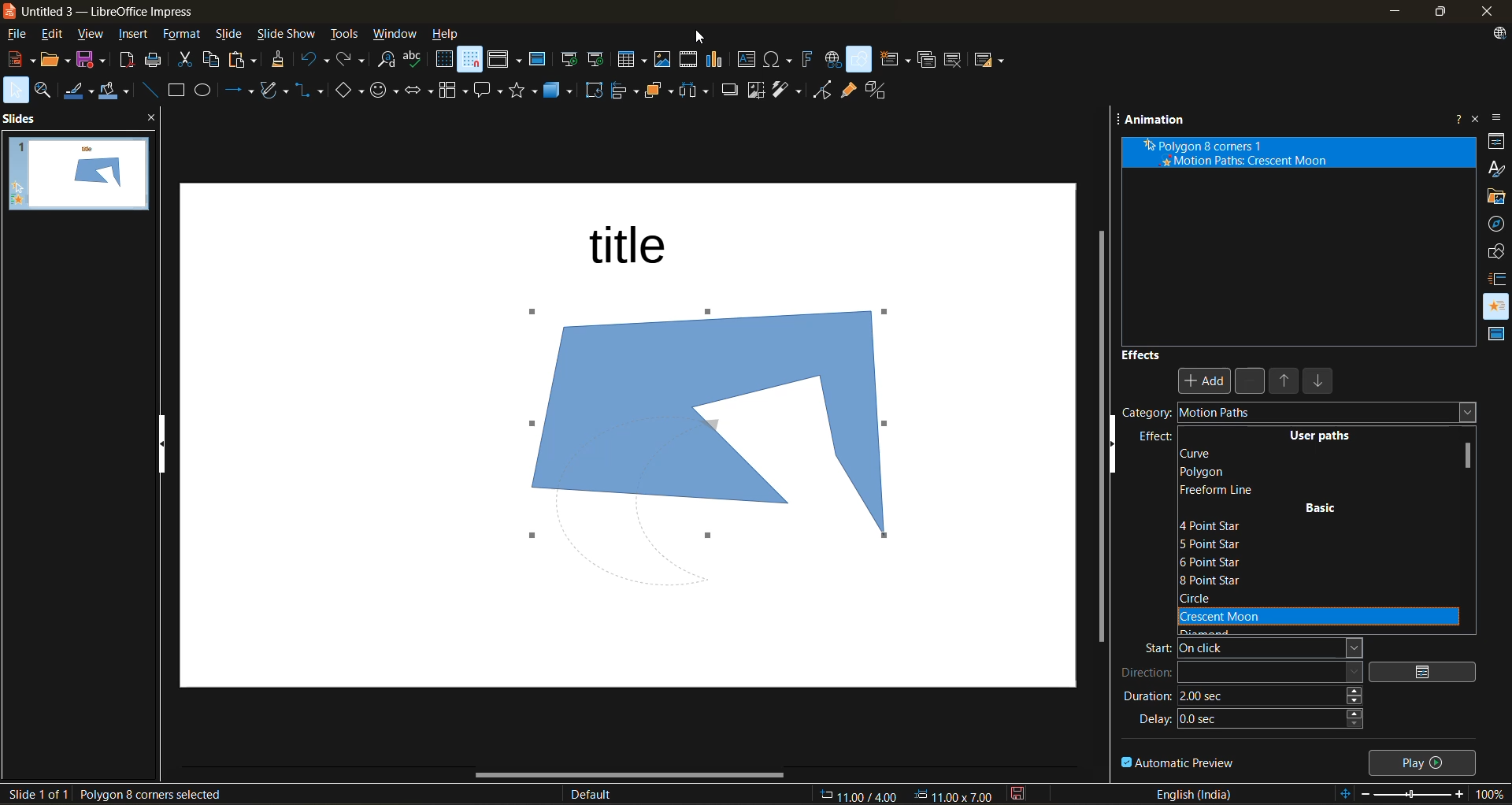 The image size is (1512, 805). What do you see at coordinates (421, 92) in the screenshot?
I see `block arrows` at bounding box center [421, 92].